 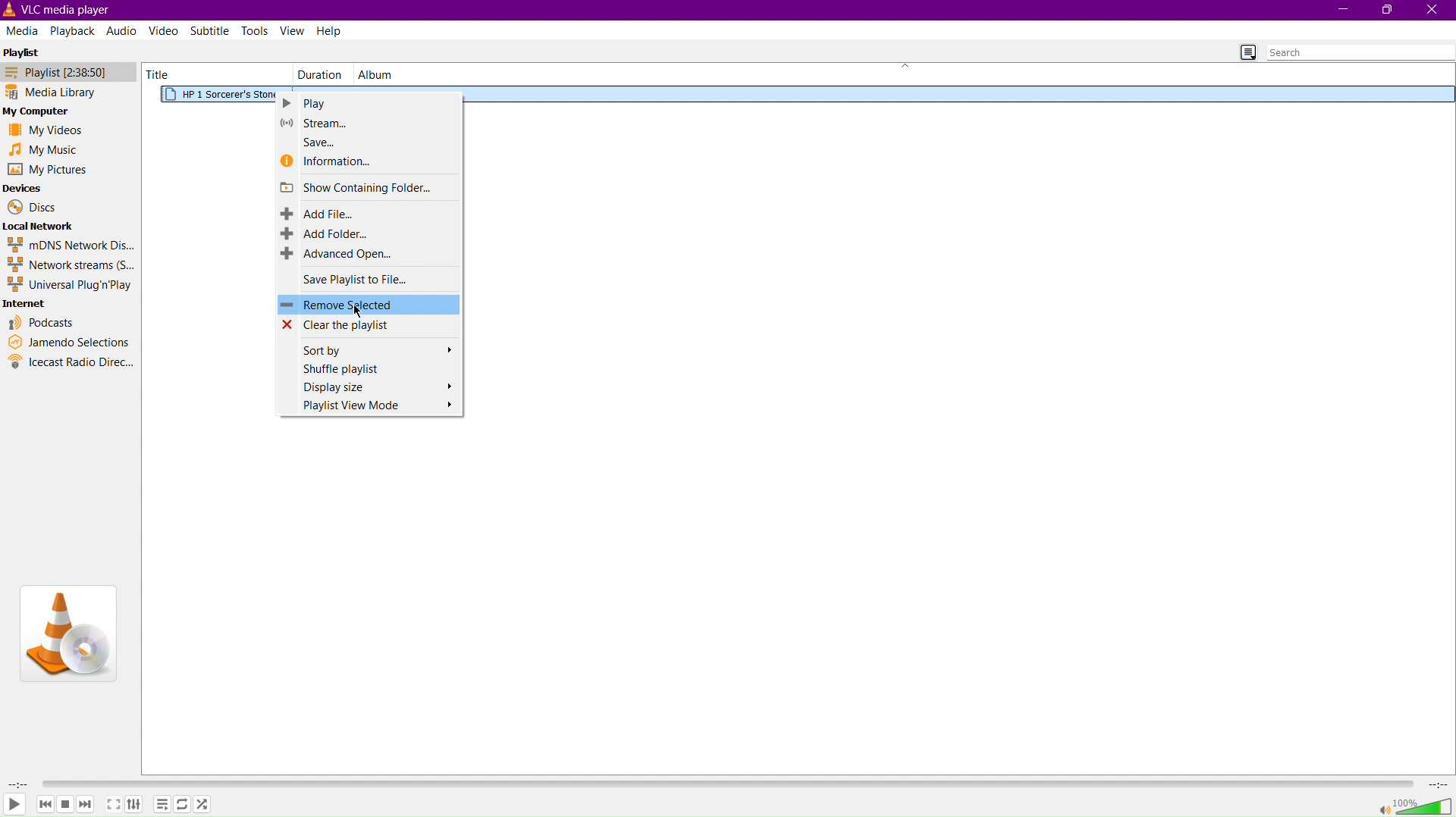 I want to click on Shuffle playlist, so click(x=369, y=367).